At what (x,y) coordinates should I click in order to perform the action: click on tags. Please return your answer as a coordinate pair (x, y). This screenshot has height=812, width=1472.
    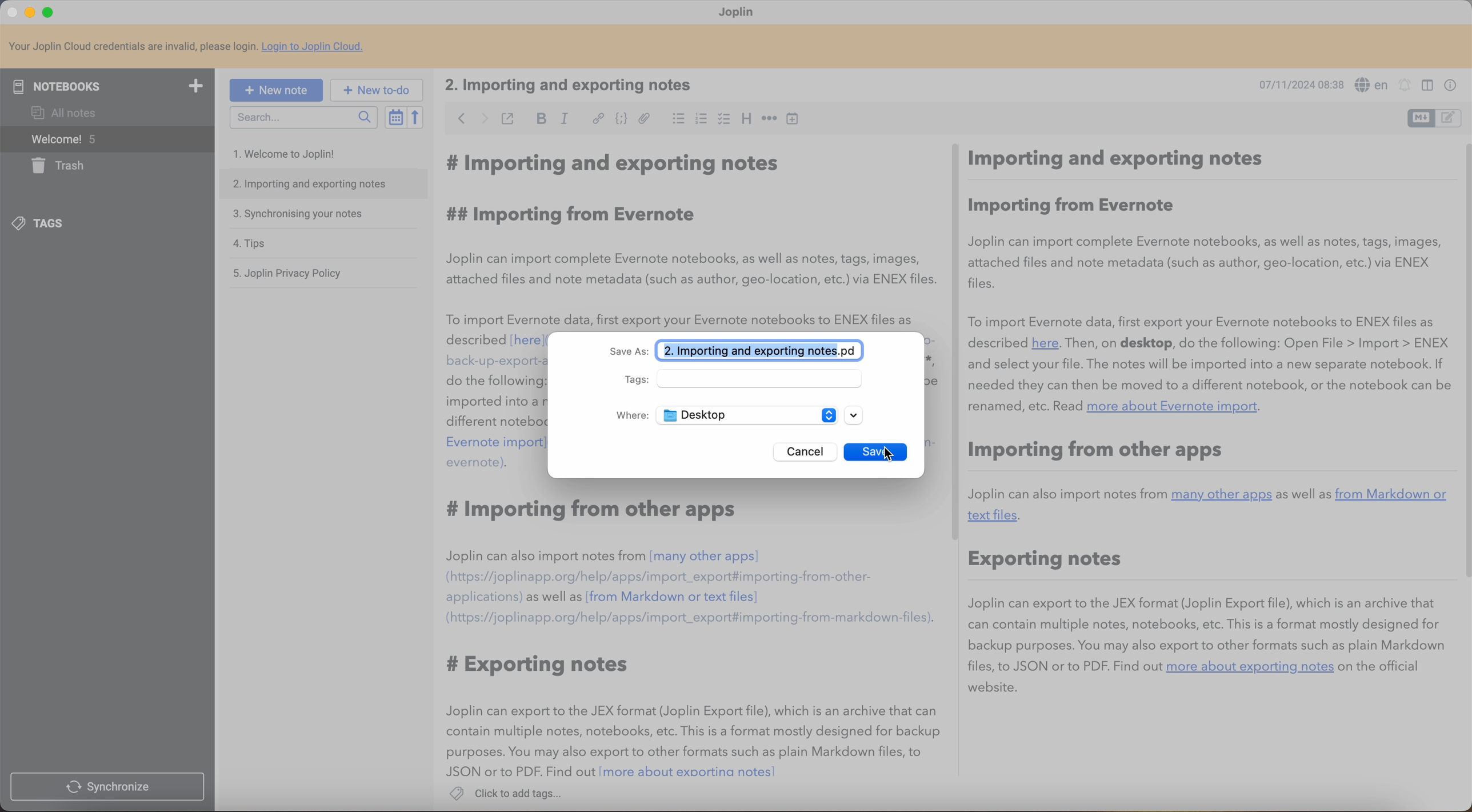
    Looking at the image, I should click on (42, 224).